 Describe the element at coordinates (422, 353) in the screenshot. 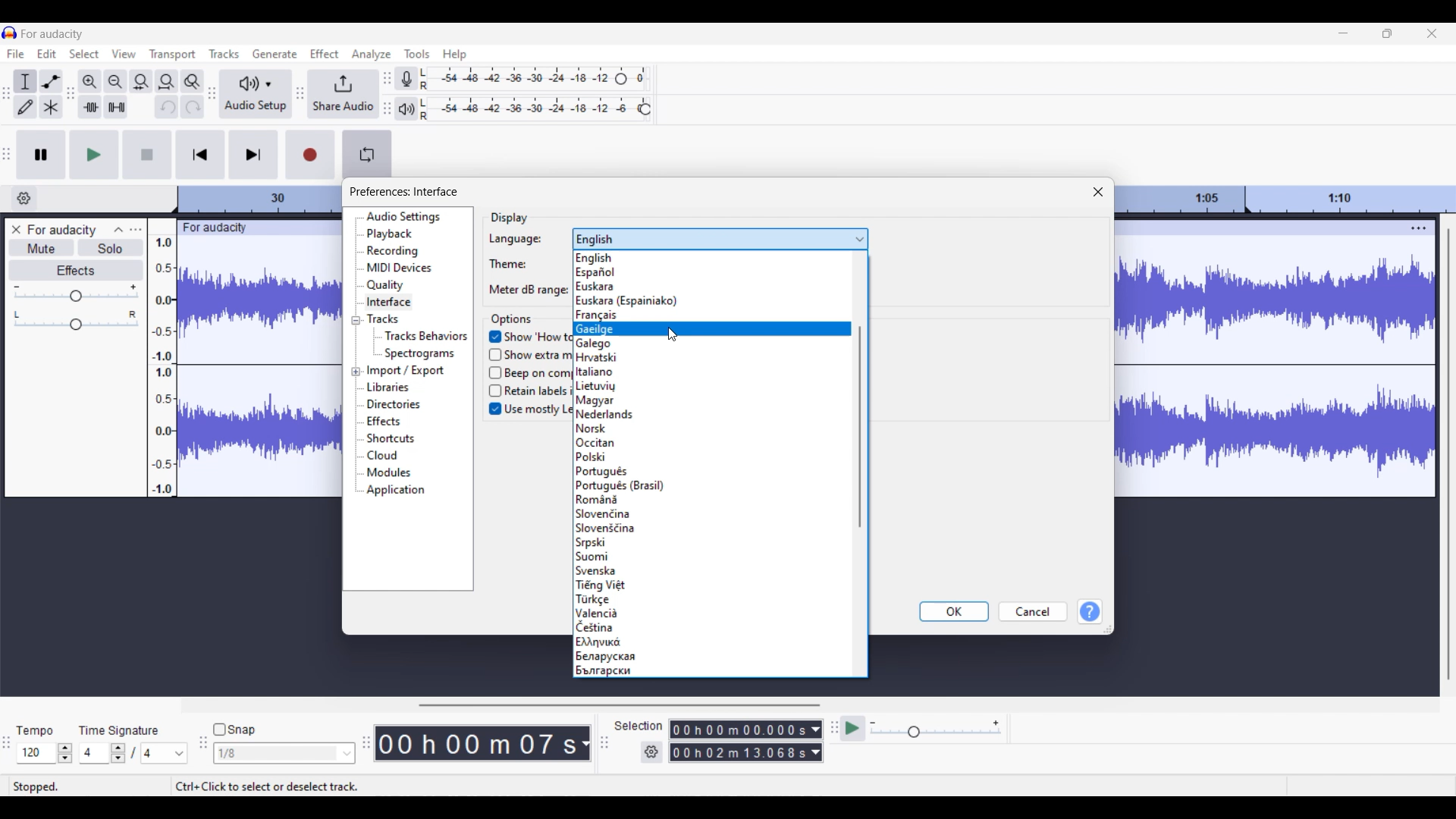

I see `Spectogram` at that location.